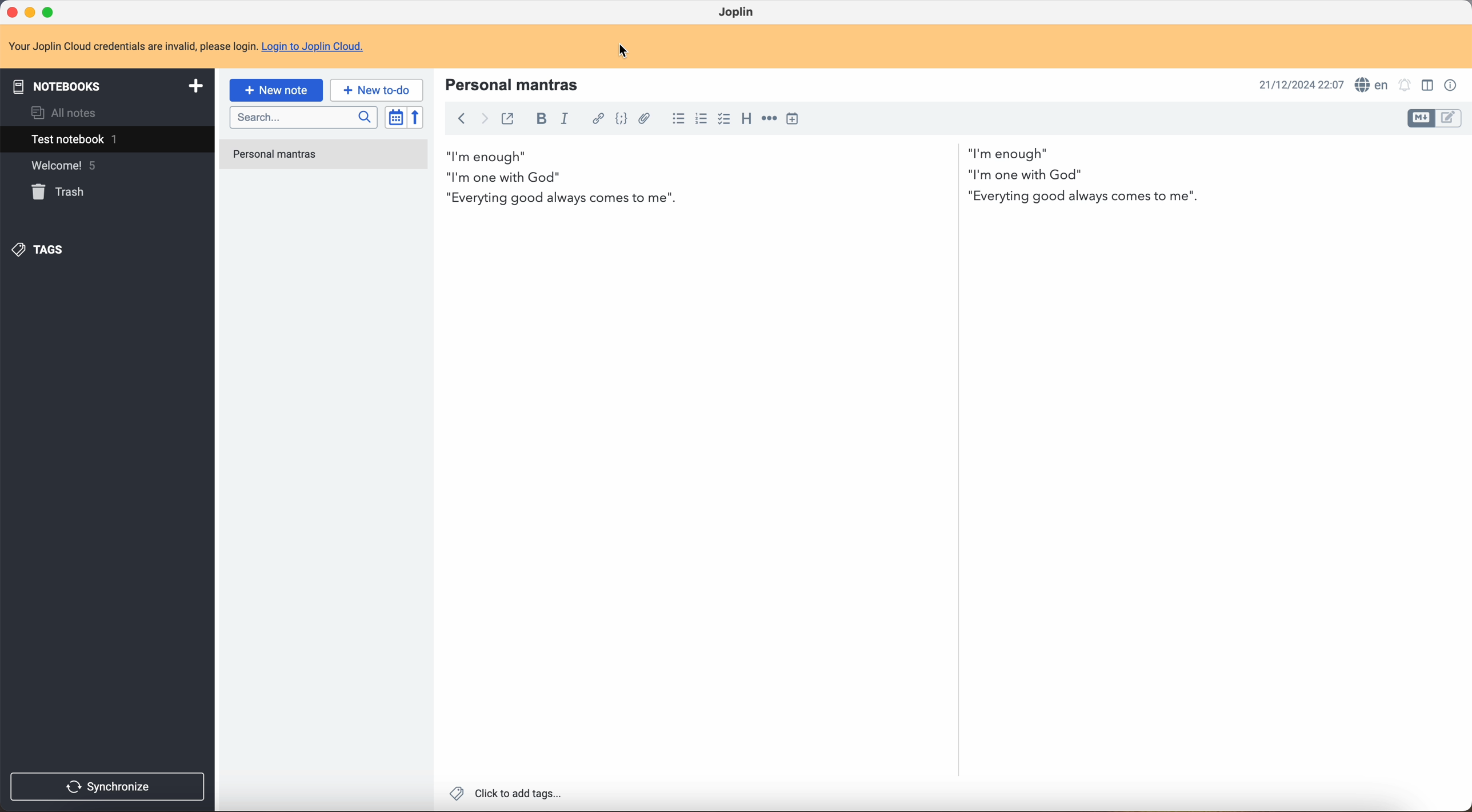  I want to click on all notes, so click(69, 114).